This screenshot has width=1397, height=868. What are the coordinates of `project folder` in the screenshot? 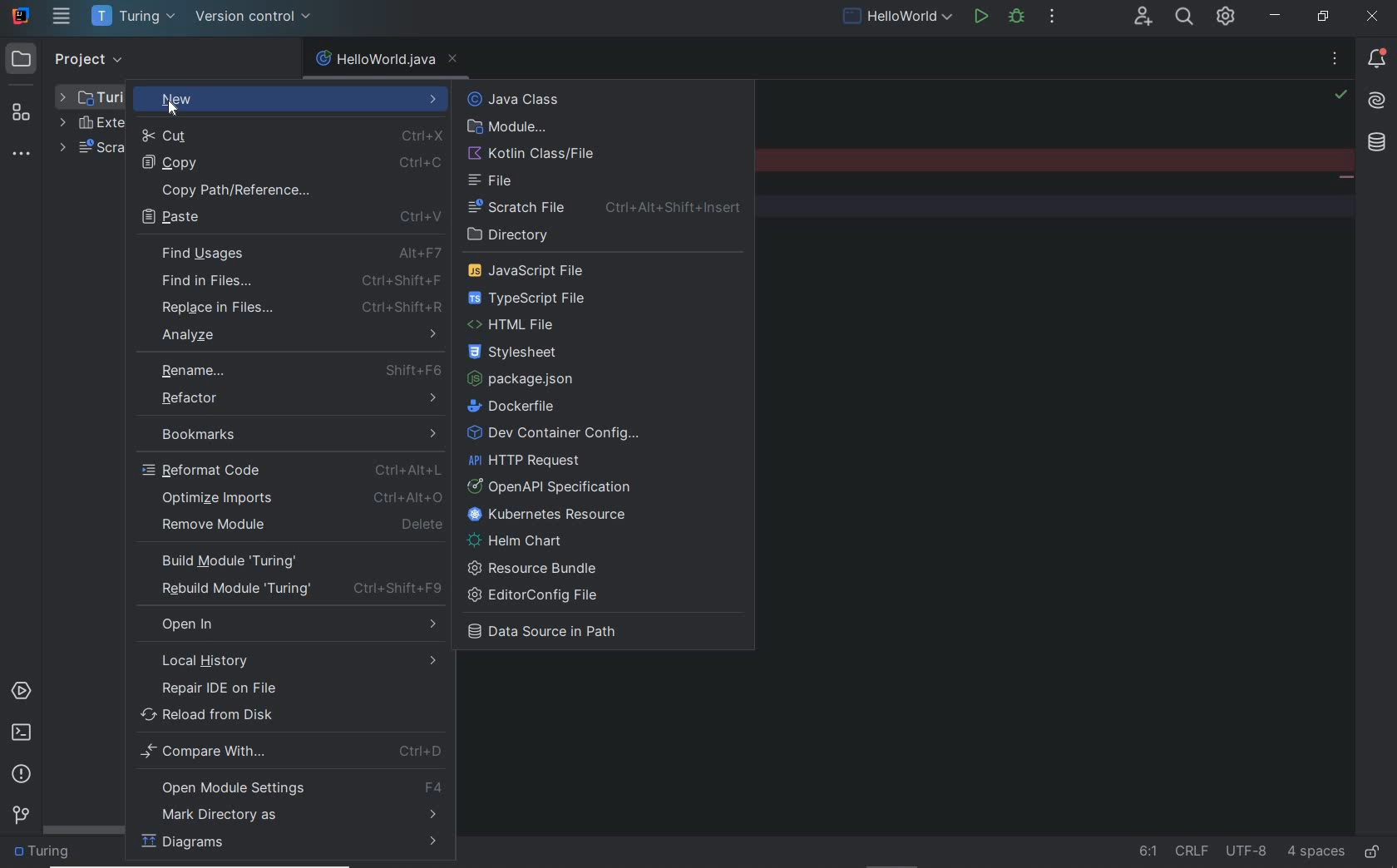 It's located at (92, 96).